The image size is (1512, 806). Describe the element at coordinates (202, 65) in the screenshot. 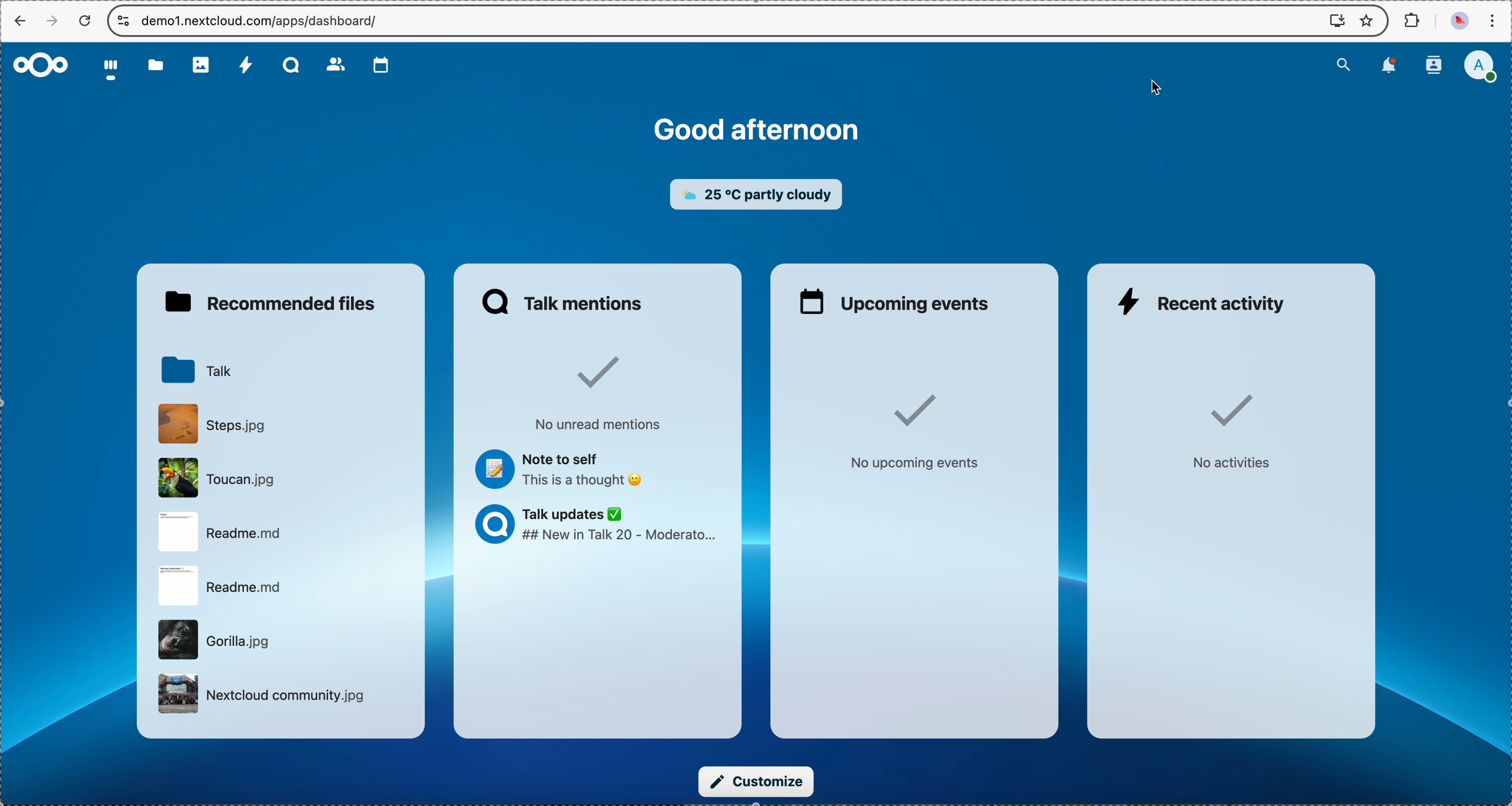

I see `photos` at that location.